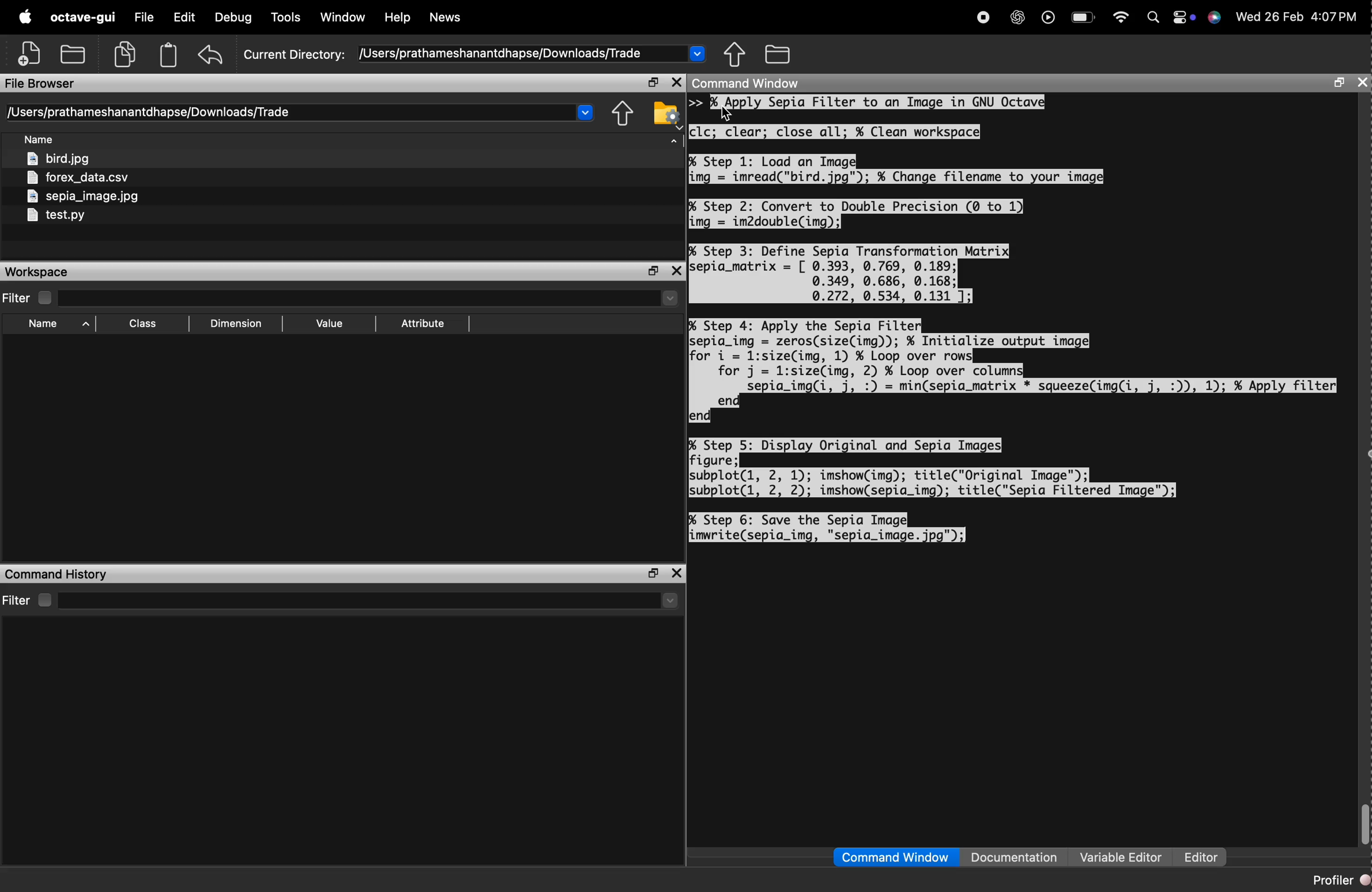 The height and width of the screenshot is (892, 1372). I want to click on  bird.jpg, so click(58, 157).